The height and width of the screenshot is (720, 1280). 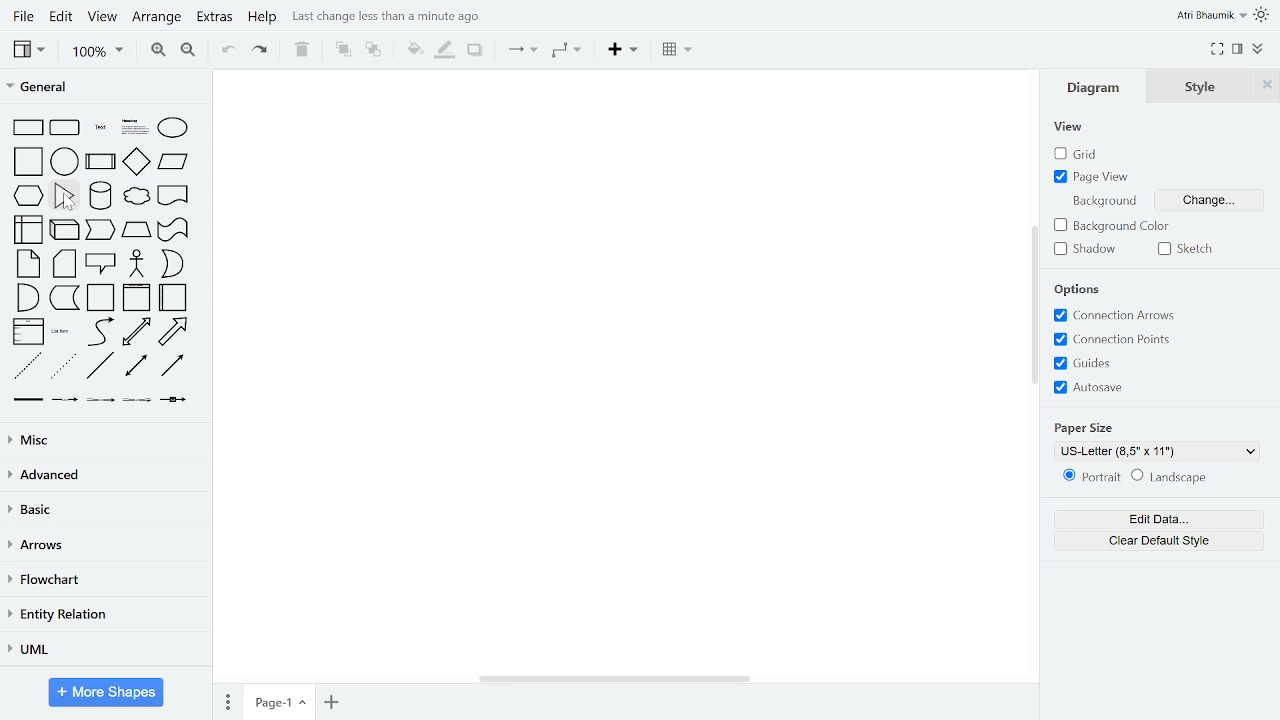 I want to click on help, so click(x=263, y=19).